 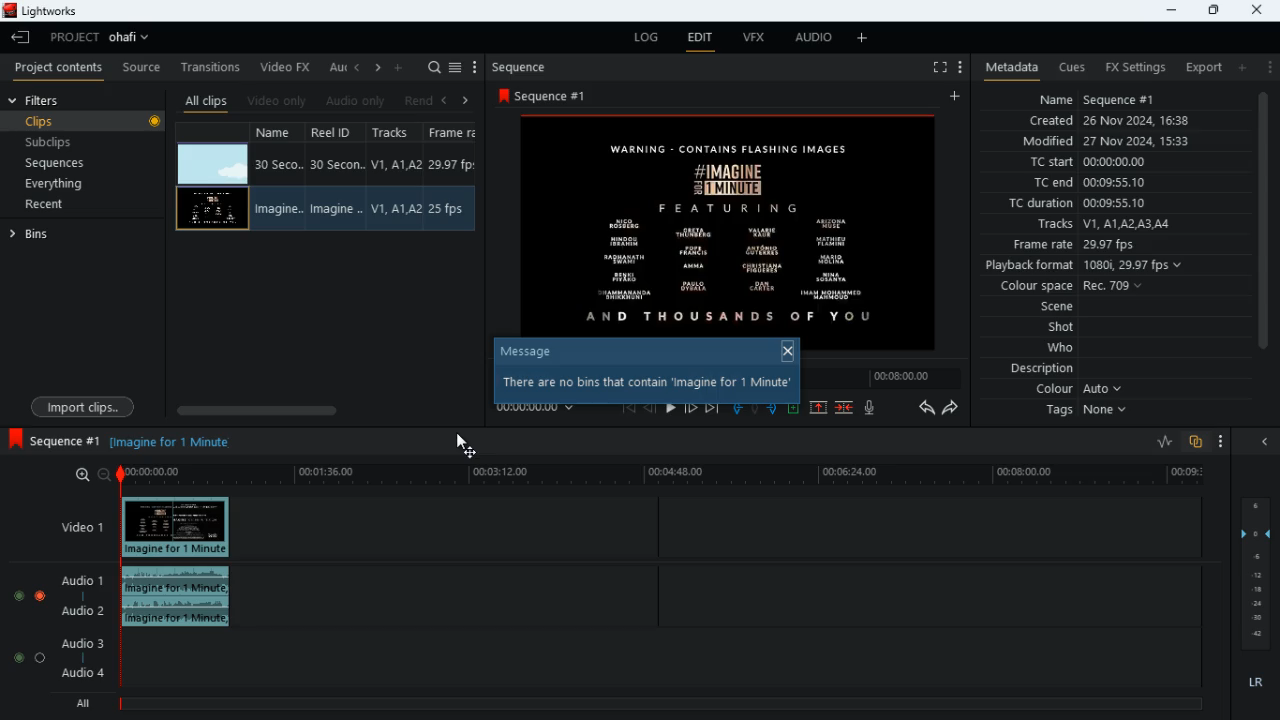 I want to click on bins, so click(x=39, y=238).